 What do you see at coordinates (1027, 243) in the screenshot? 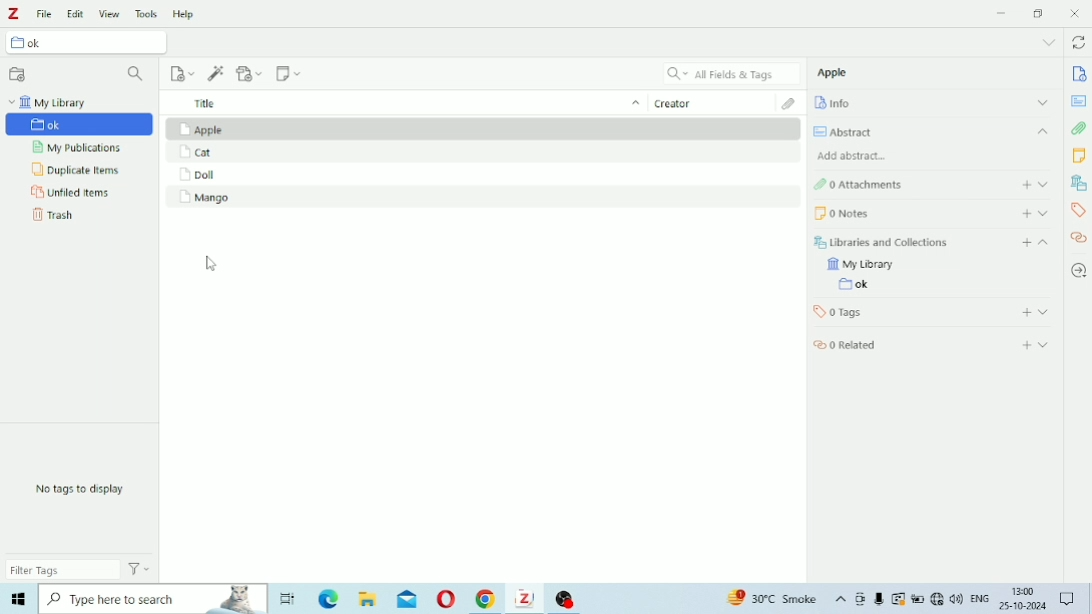
I see `Add` at bounding box center [1027, 243].